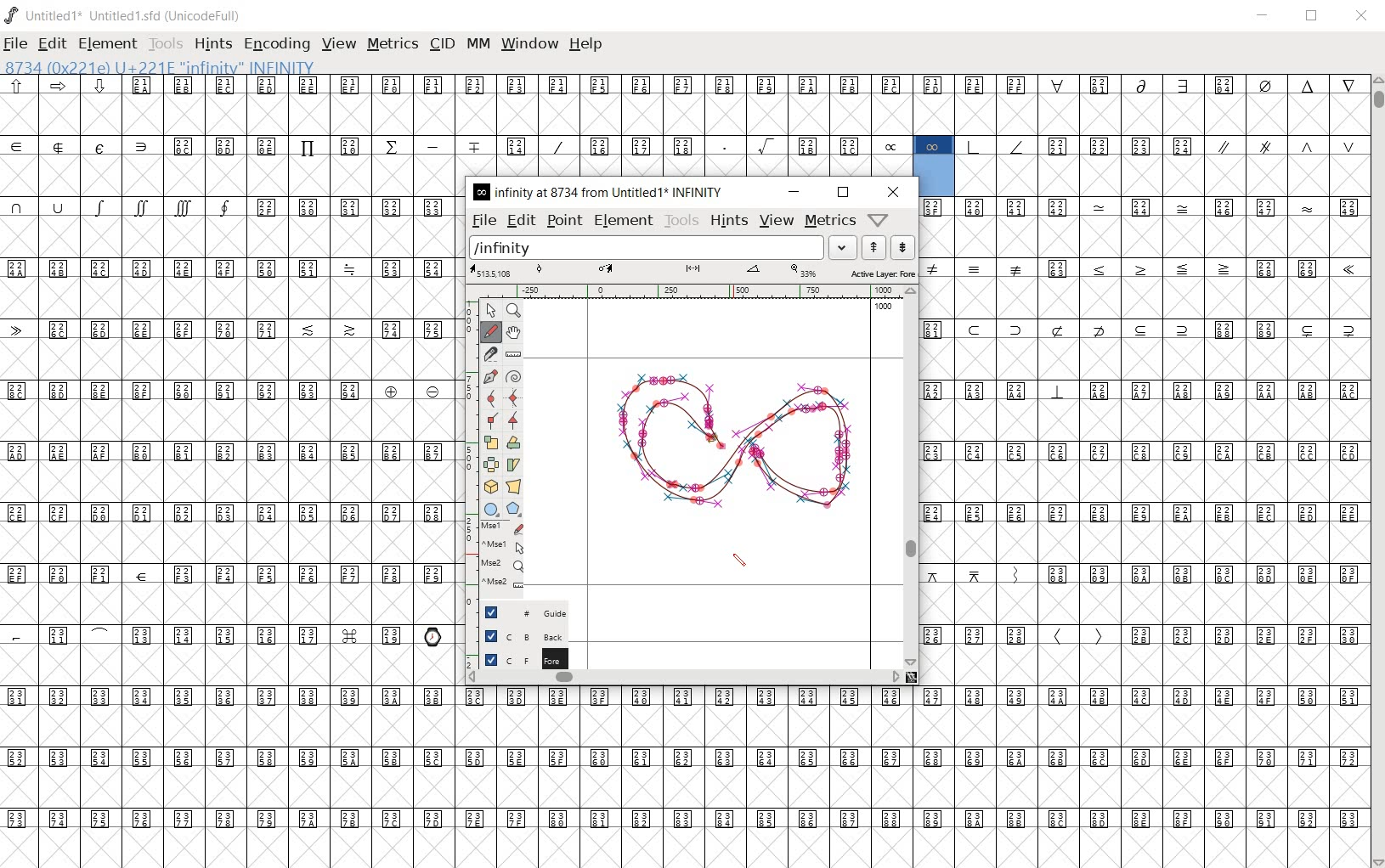 The width and height of the screenshot is (1385, 868). What do you see at coordinates (563, 221) in the screenshot?
I see `point` at bounding box center [563, 221].